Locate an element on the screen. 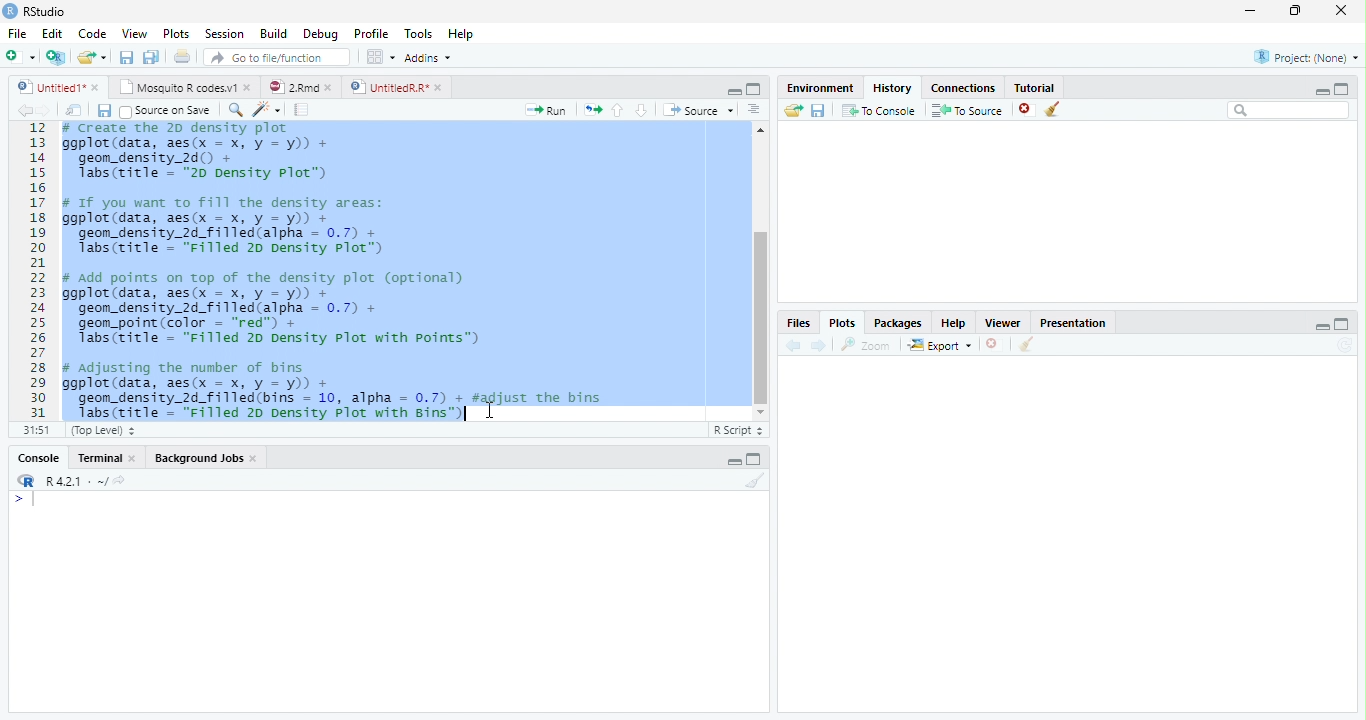 The image size is (1366, 720). Debug is located at coordinates (321, 35).